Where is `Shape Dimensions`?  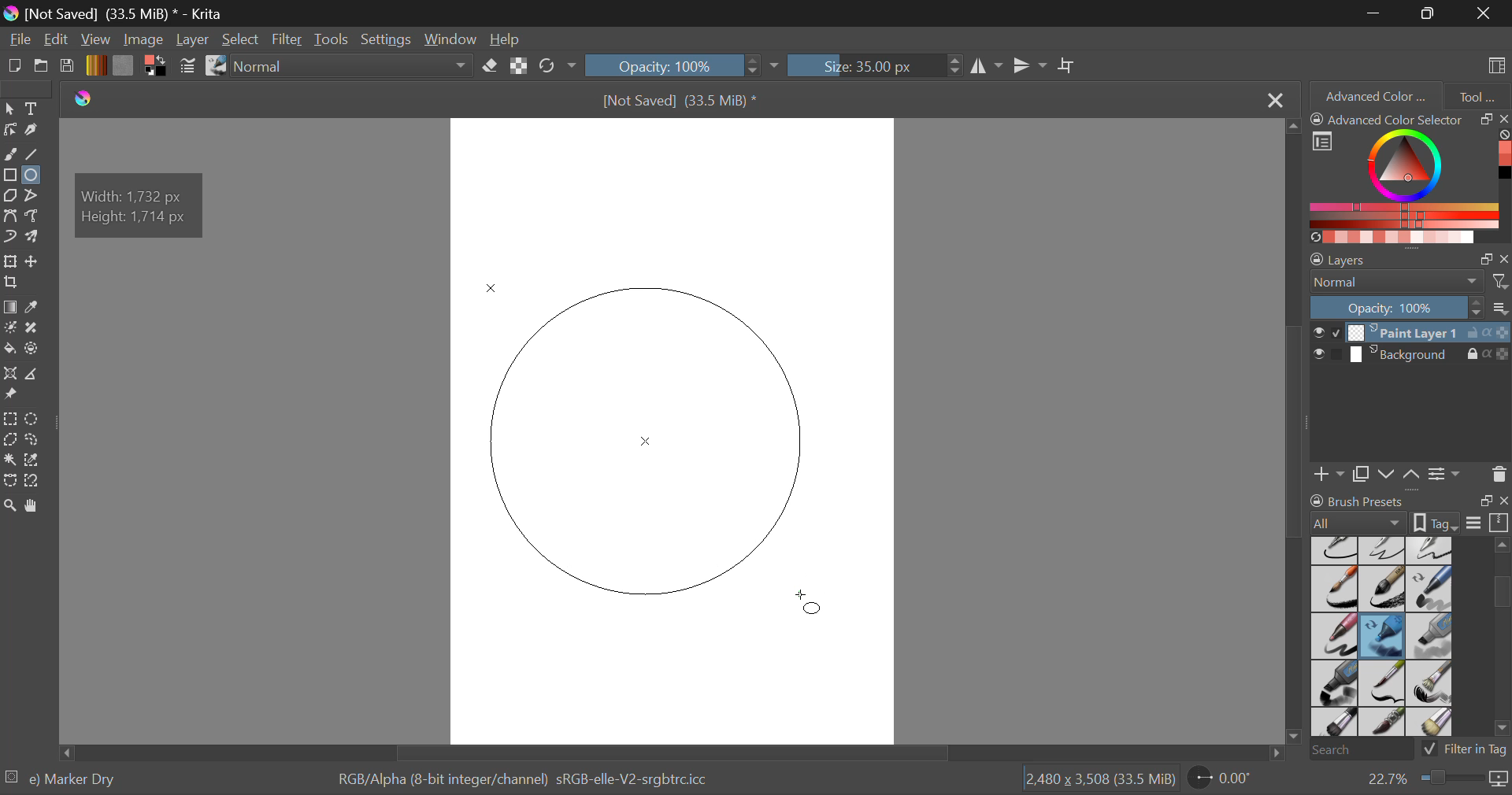
Shape Dimensions is located at coordinates (140, 203).